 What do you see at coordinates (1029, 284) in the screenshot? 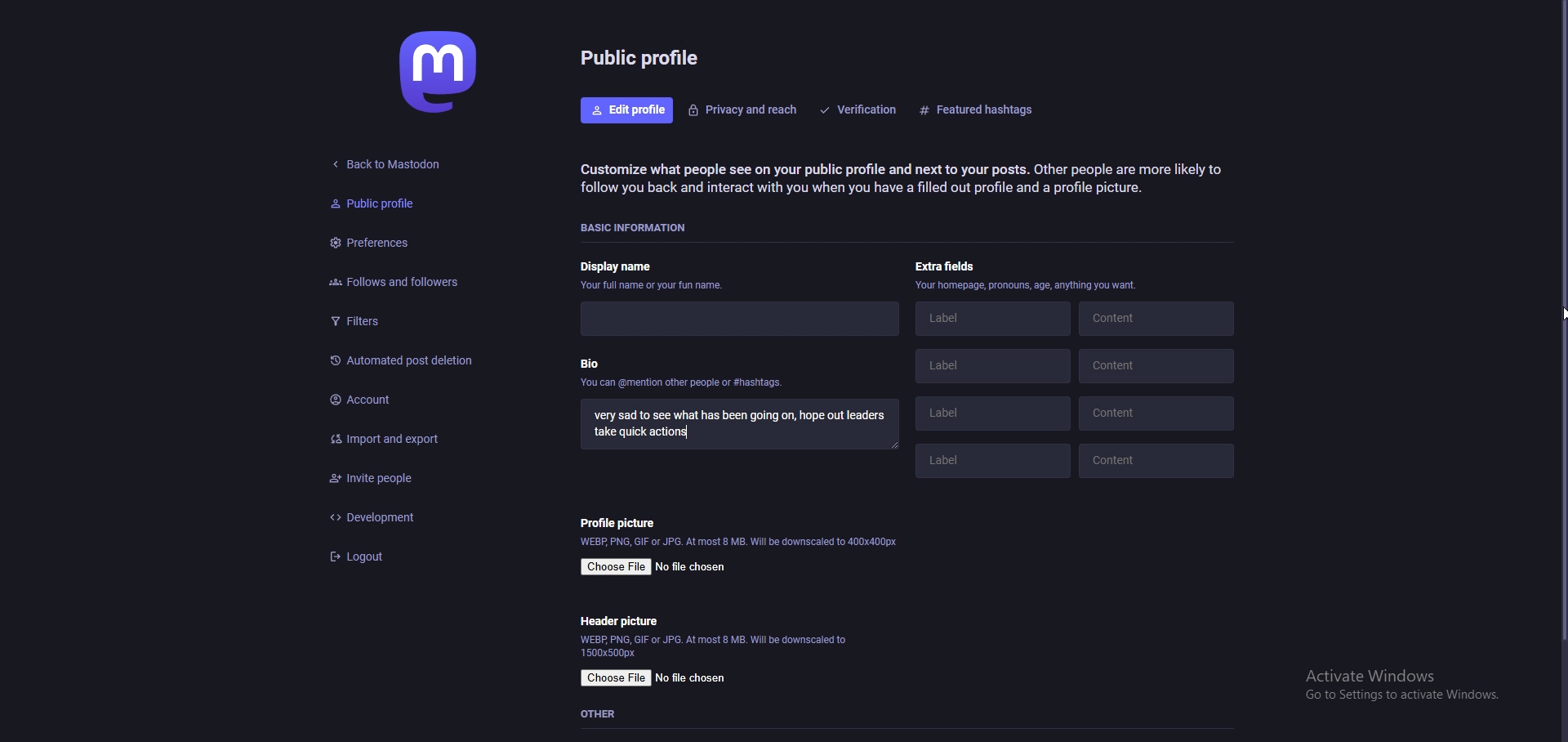
I see `info` at bounding box center [1029, 284].